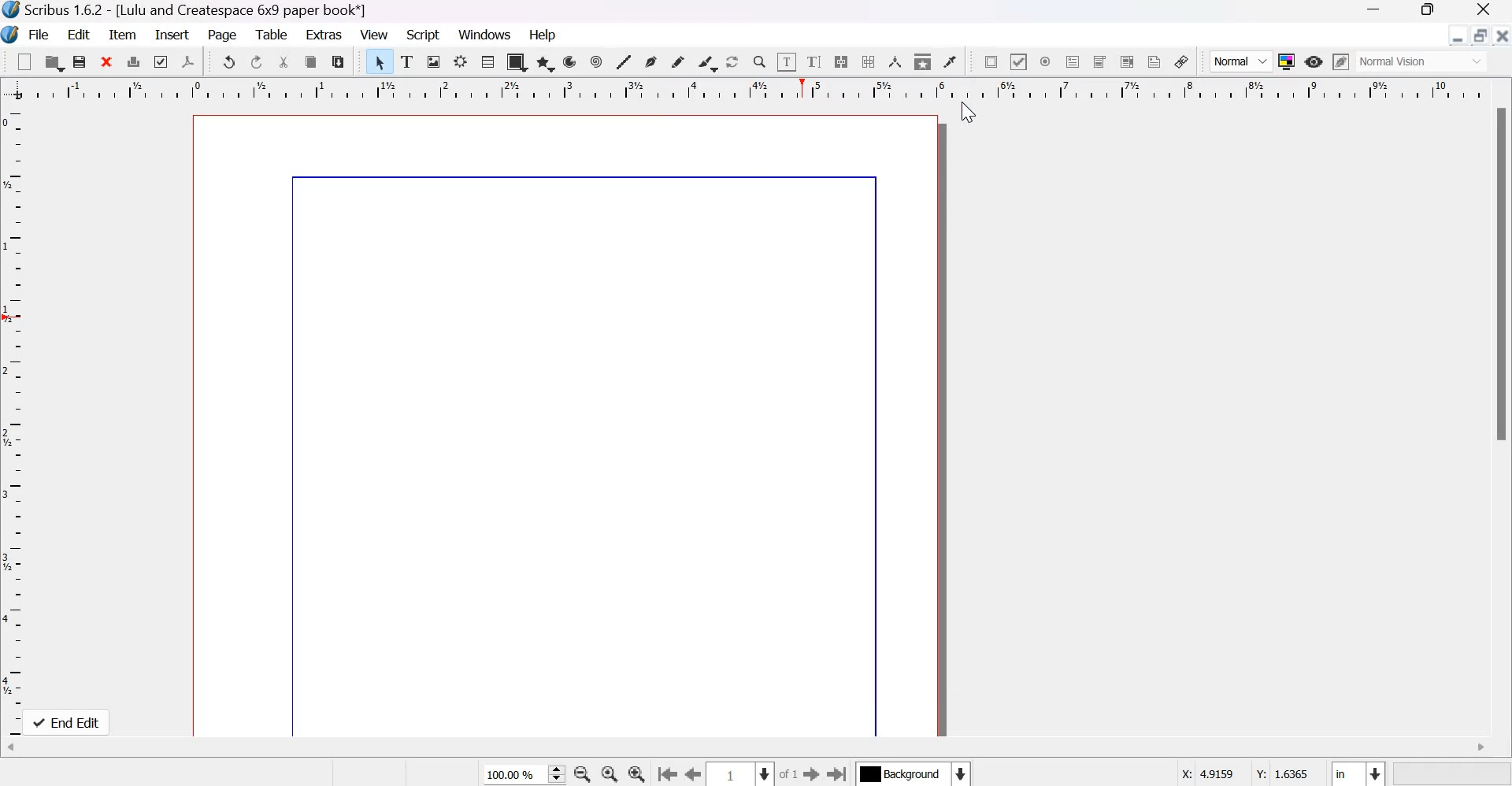 Image resolution: width=1512 pixels, height=786 pixels. I want to click on of 1, so click(789, 774).